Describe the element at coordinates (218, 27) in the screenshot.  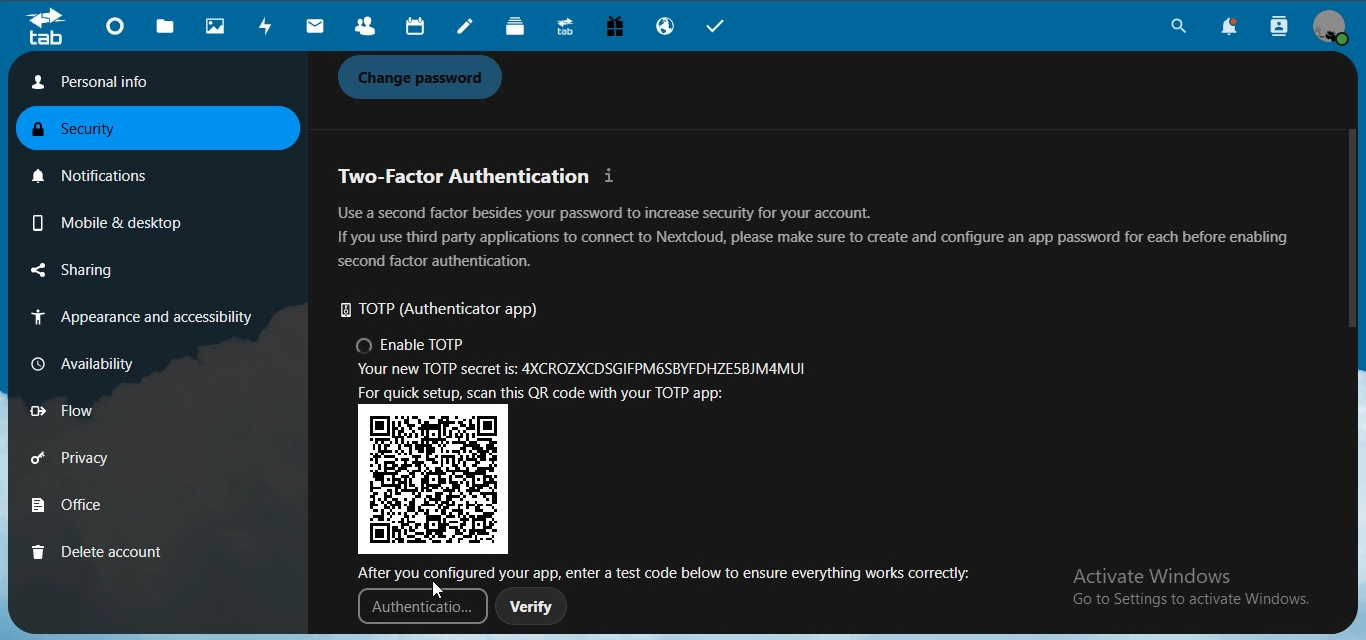
I see `photos` at that location.